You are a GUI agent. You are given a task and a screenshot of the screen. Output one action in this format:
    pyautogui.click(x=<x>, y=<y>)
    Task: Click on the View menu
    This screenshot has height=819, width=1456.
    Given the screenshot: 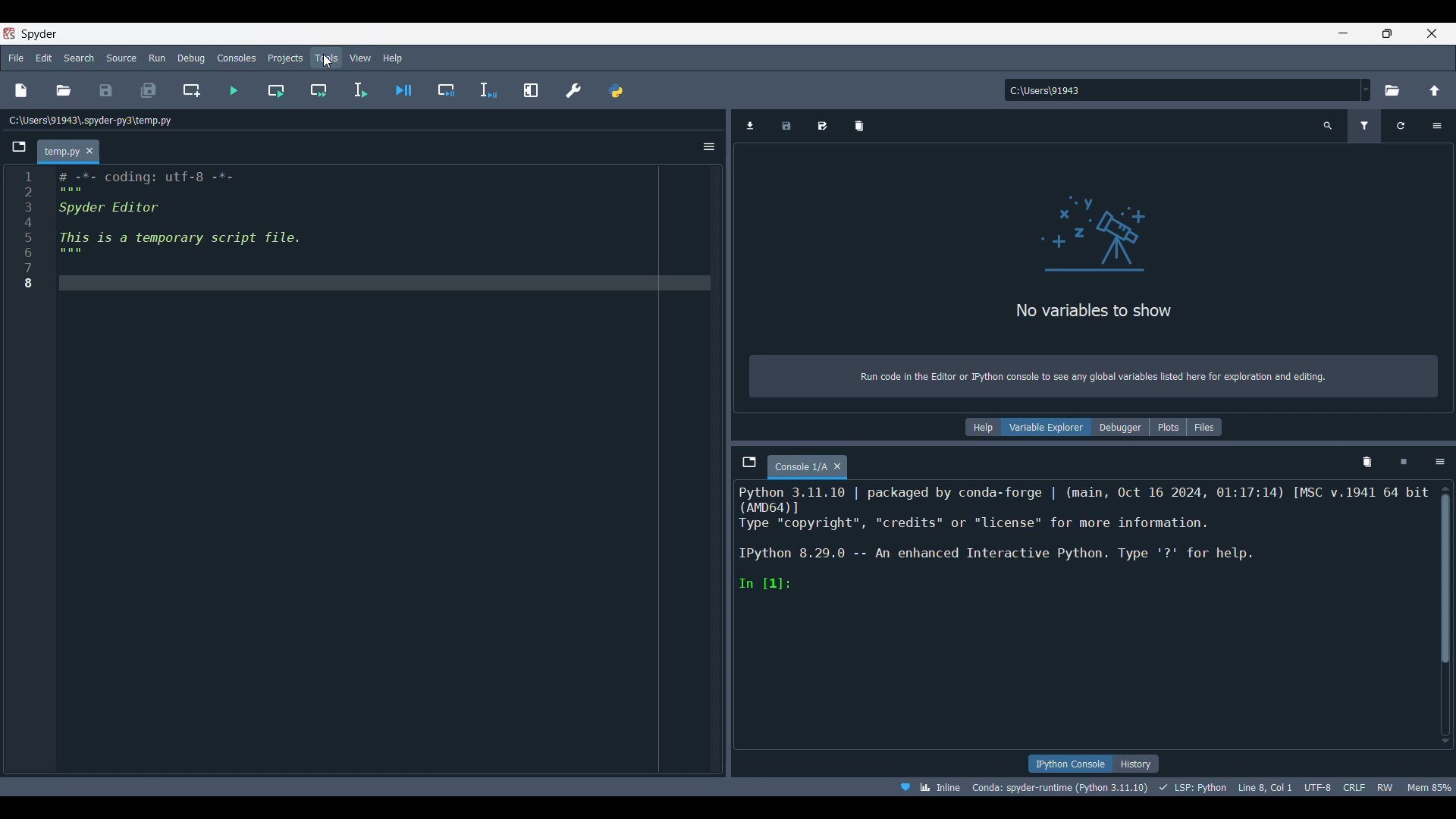 What is the action you would take?
    pyautogui.click(x=361, y=58)
    